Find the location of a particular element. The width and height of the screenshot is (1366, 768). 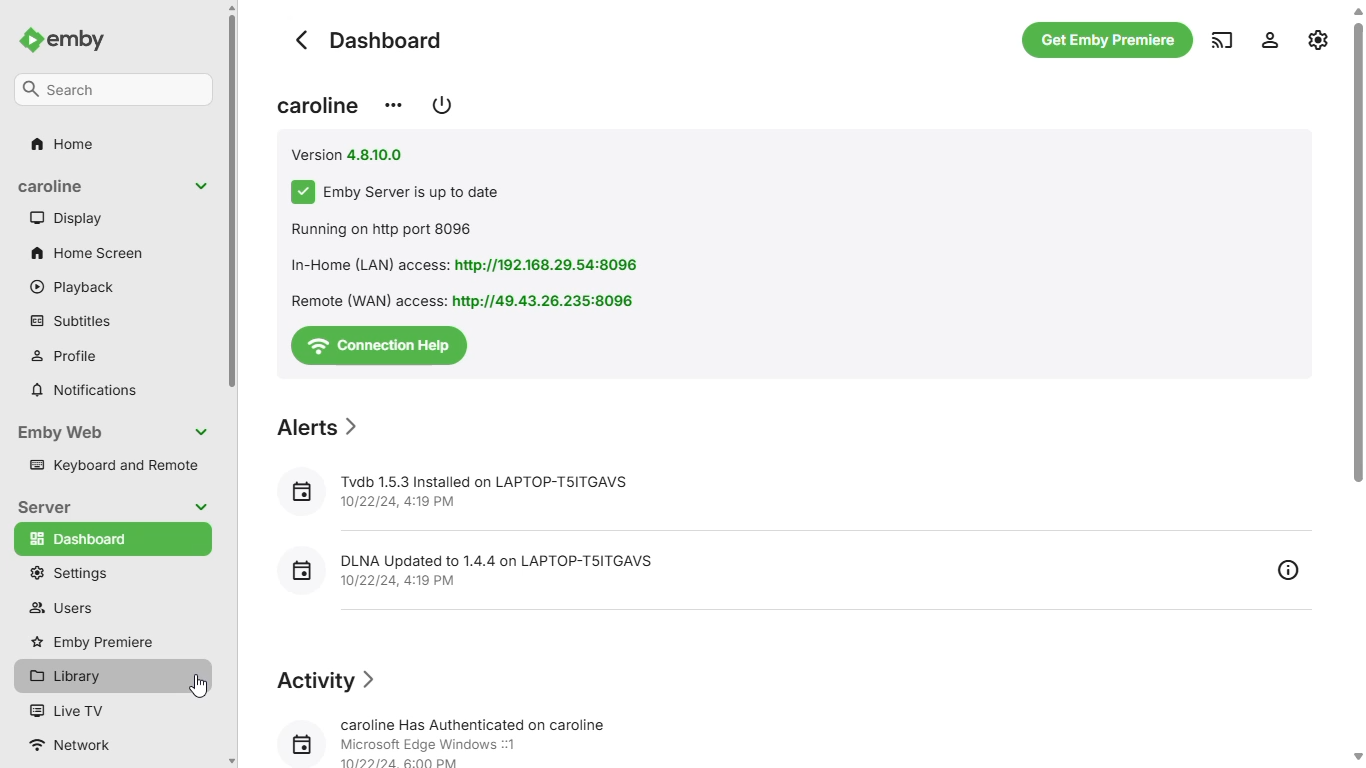

settings is located at coordinates (1320, 39).